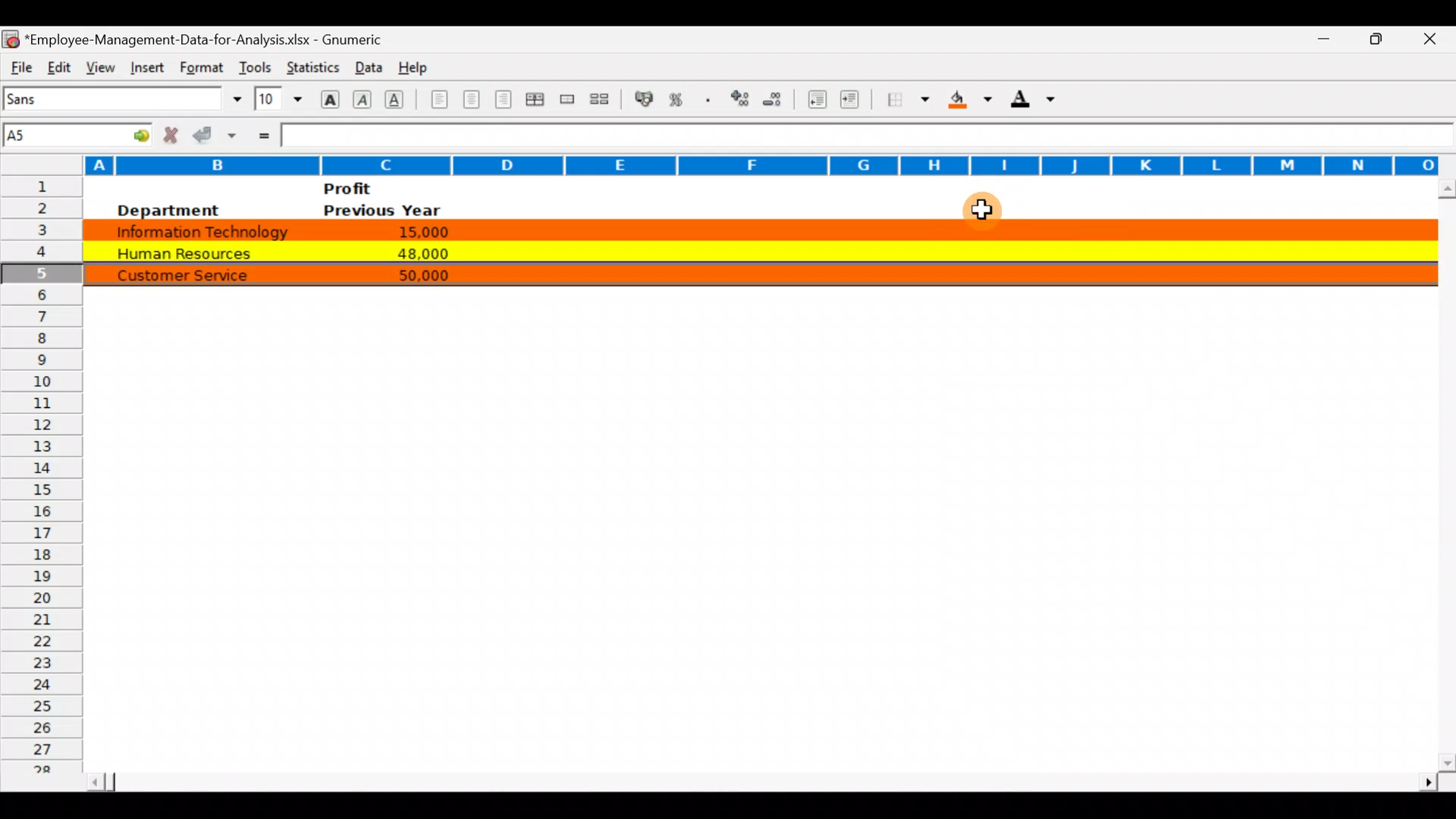 The height and width of the screenshot is (819, 1456). Describe the element at coordinates (538, 102) in the screenshot. I see `Centre horizontally across the selection` at that location.